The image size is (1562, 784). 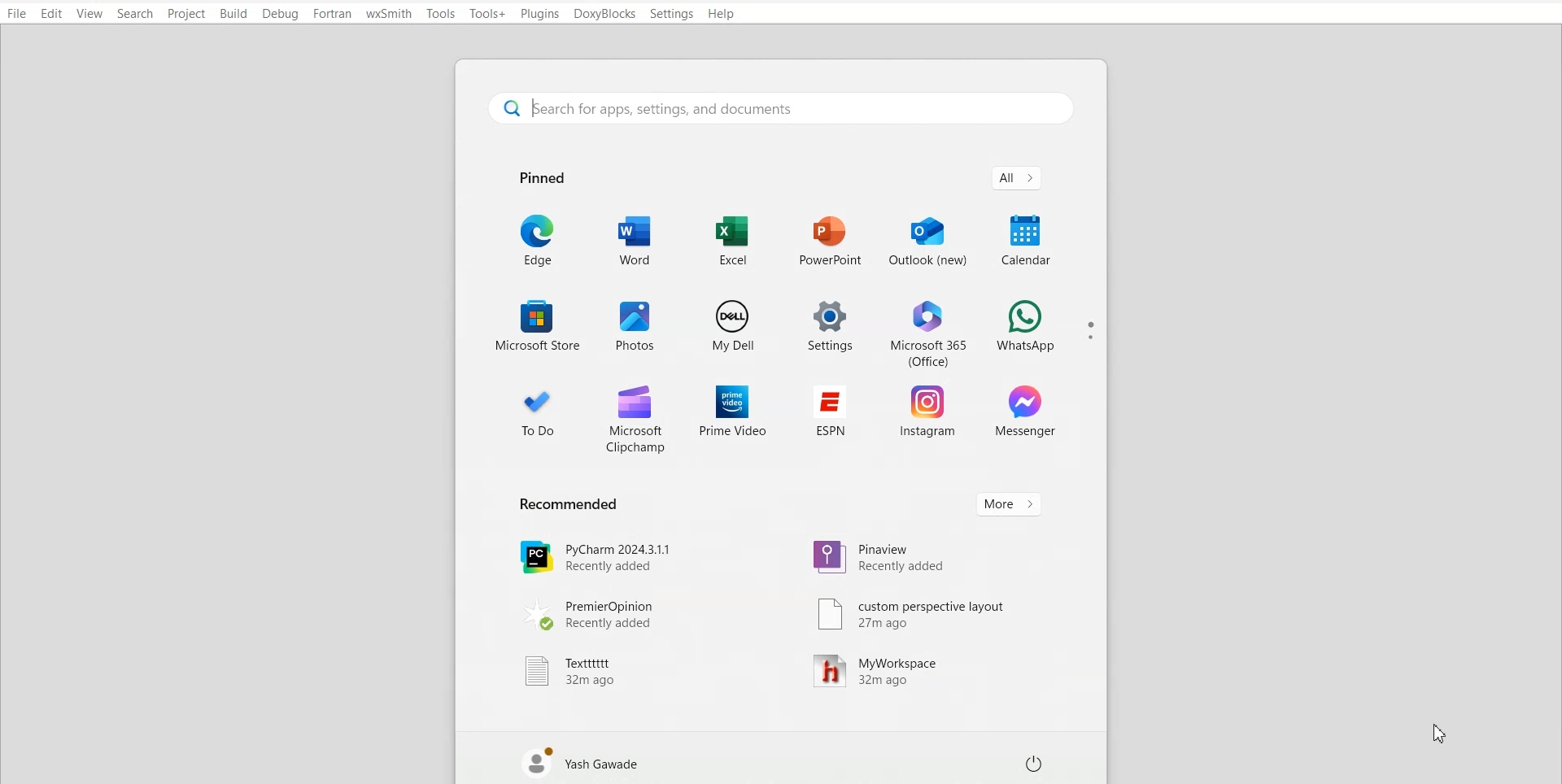 I want to click on Photos, so click(x=635, y=325).